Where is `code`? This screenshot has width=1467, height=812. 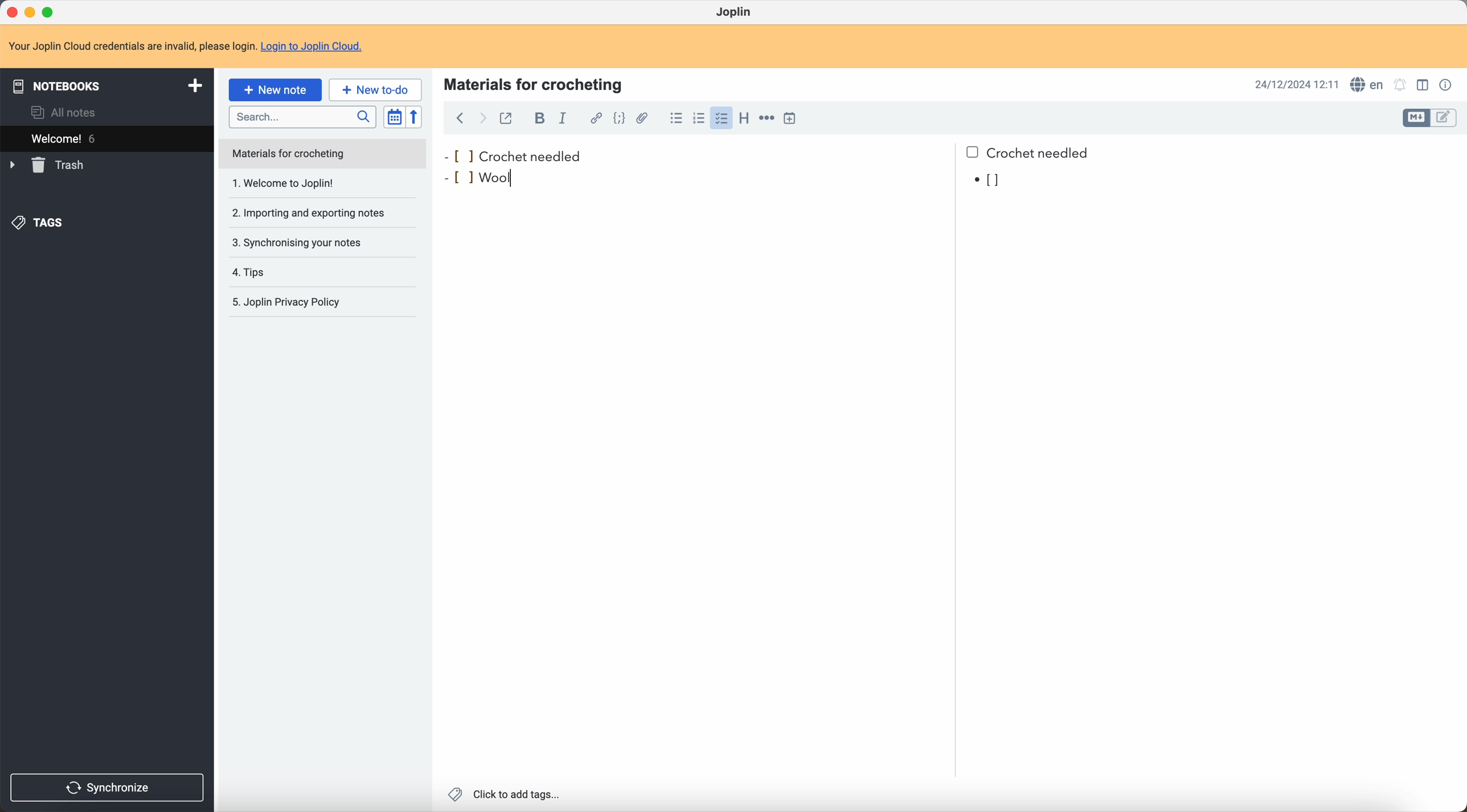
code is located at coordinates (621, 119).